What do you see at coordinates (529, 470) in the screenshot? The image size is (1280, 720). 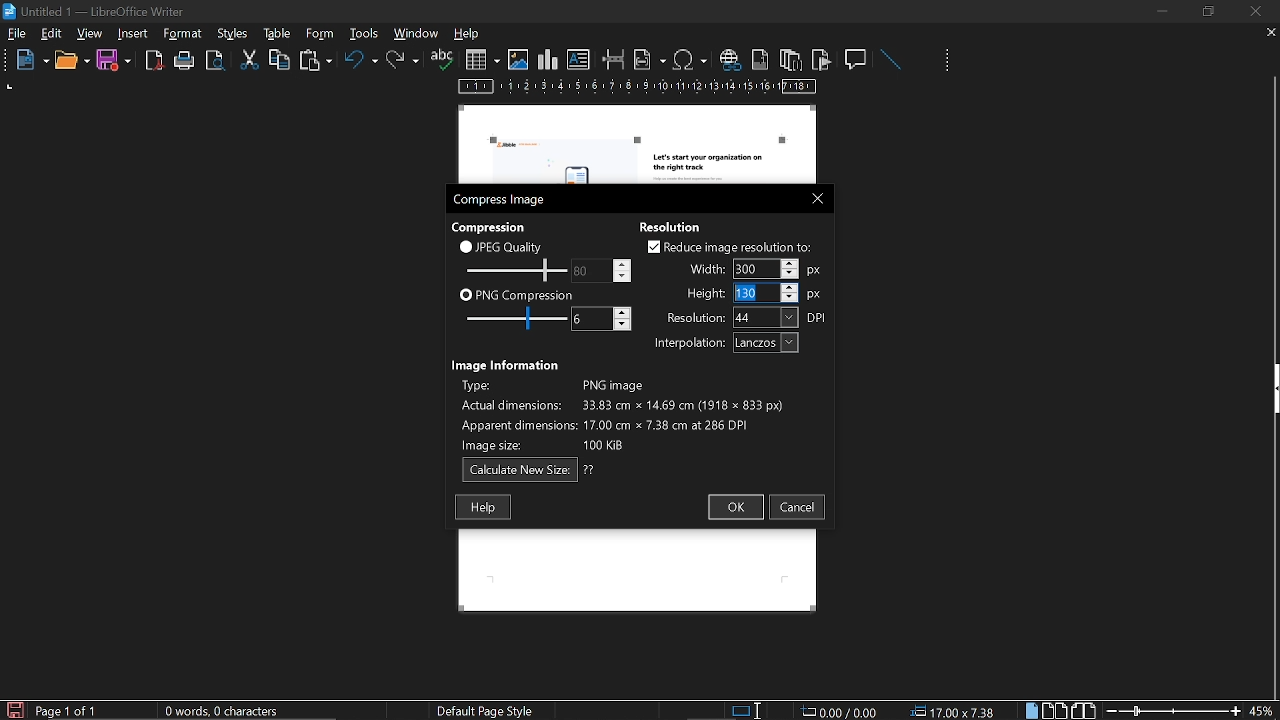 I see `calculate new size` at bounding box center [529, 470].